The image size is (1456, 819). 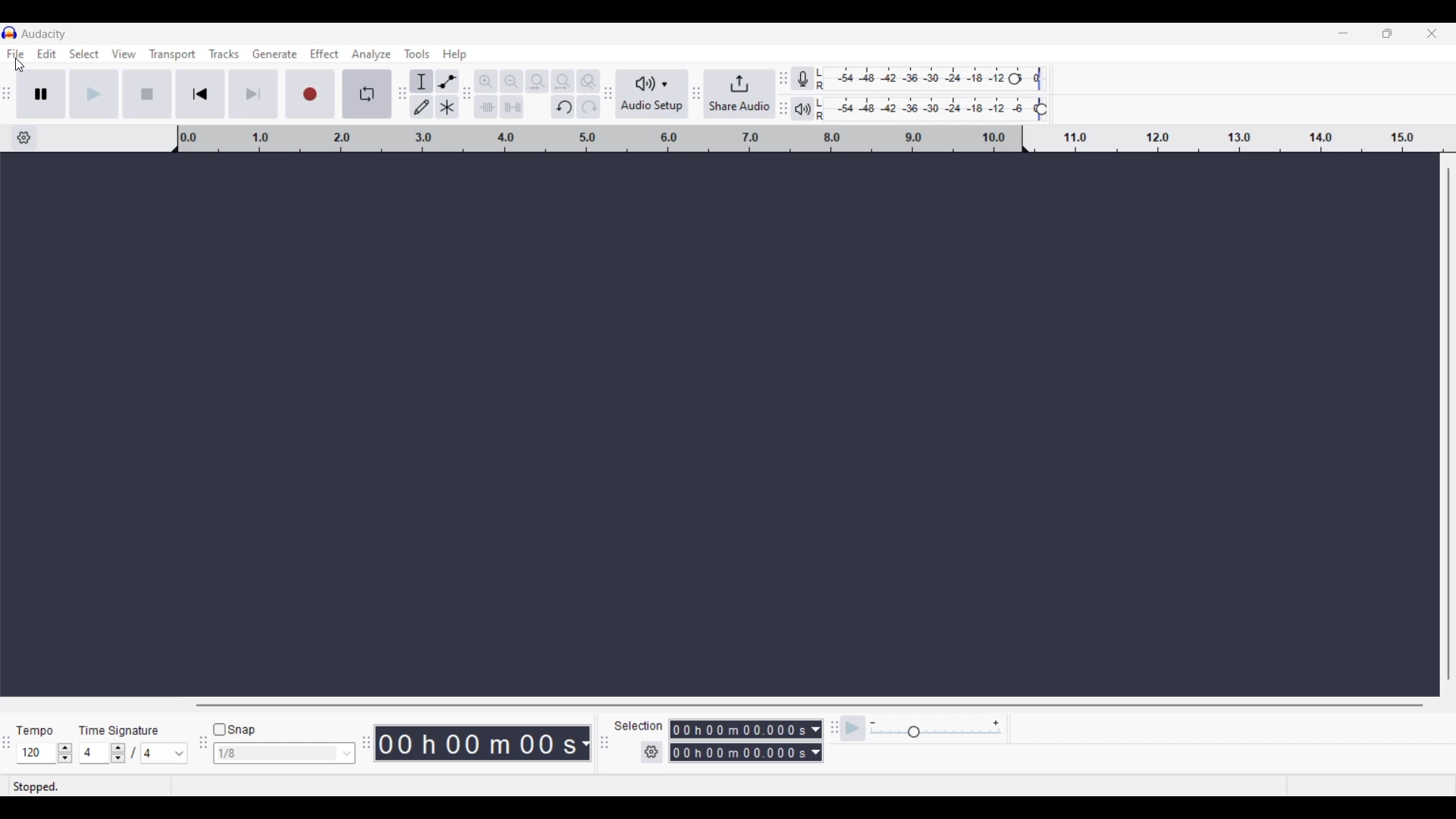 What do you see at coordinates (325, 54) in the screenshot?
I see `Effect menu` at bounding box center [325, 54].